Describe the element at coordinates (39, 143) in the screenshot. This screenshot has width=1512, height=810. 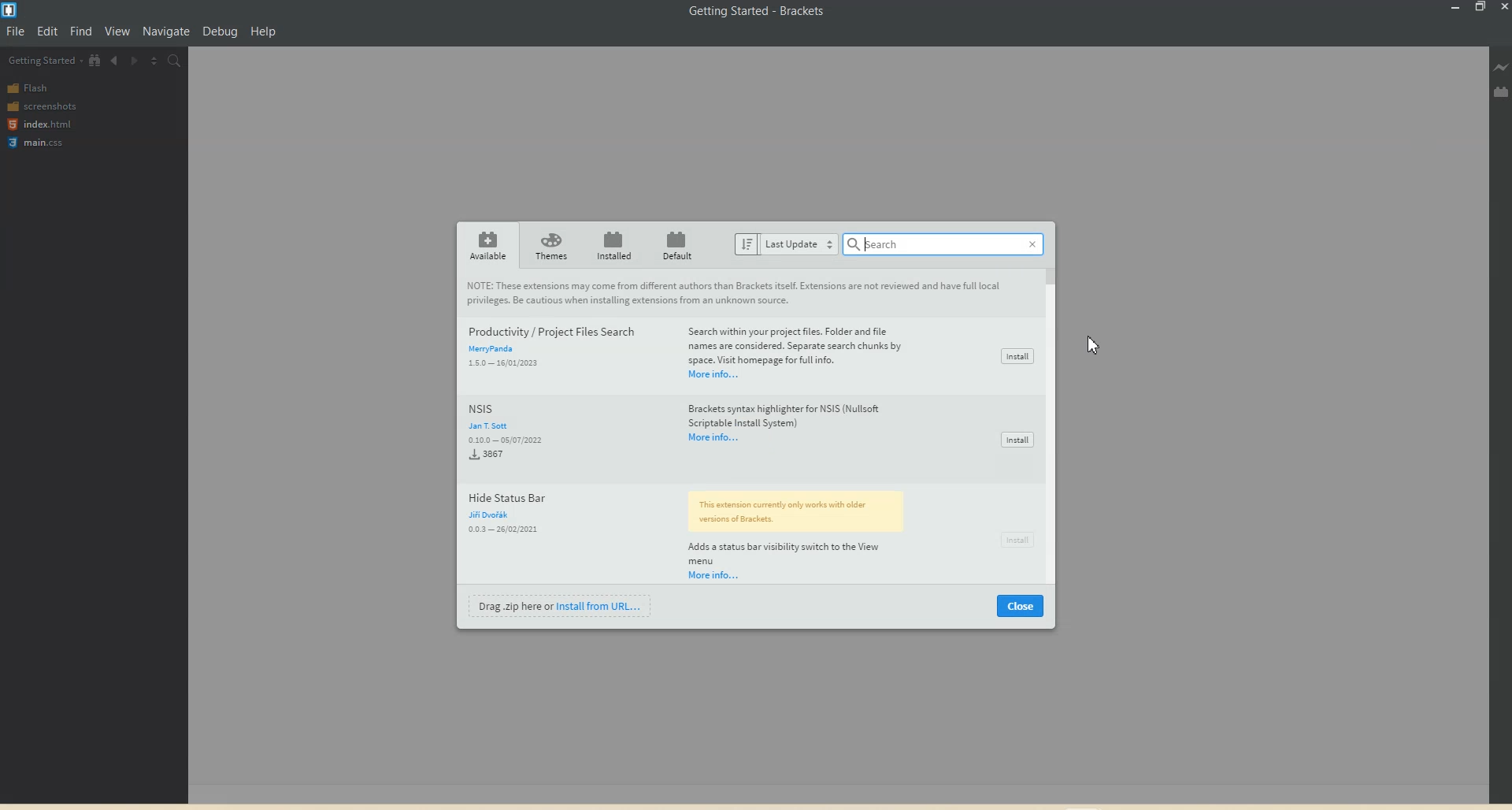
I see `main.css` at that location.